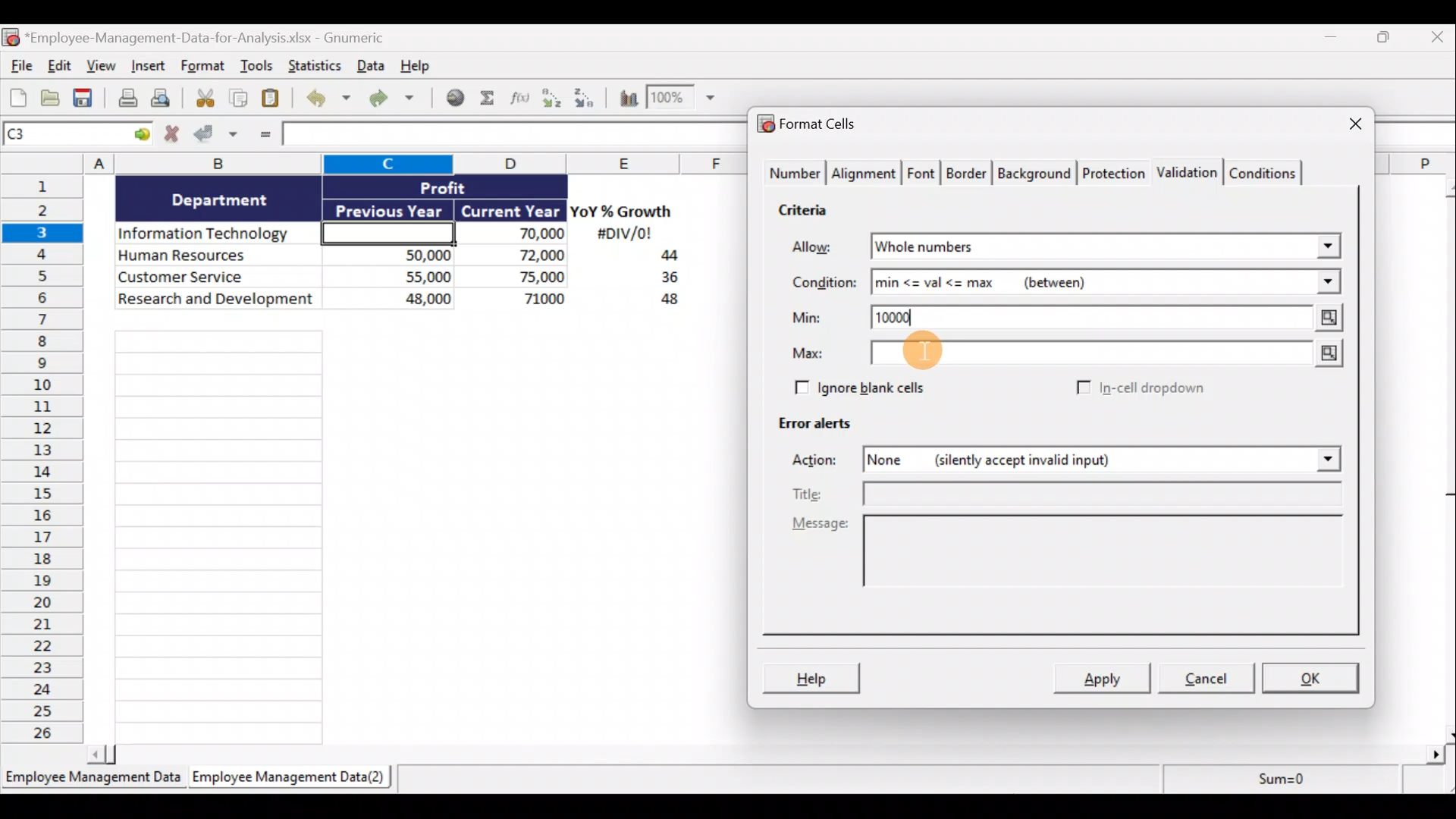  What do you see at coordinates (811, 126) in the screenshot?
I see `Format cells` at bounding box center [811, 126].